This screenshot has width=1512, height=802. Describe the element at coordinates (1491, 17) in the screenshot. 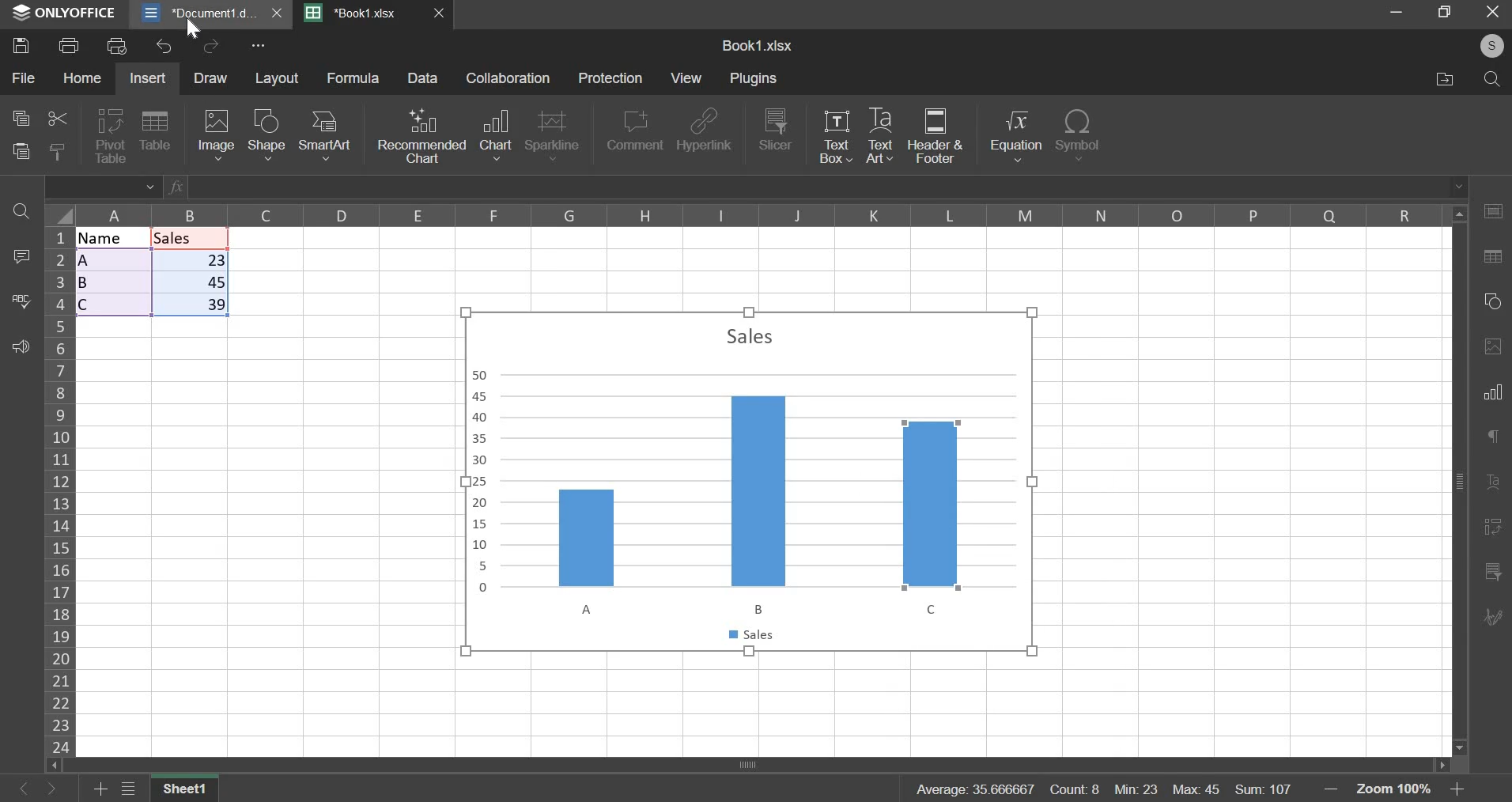

I see `exit` at that location.